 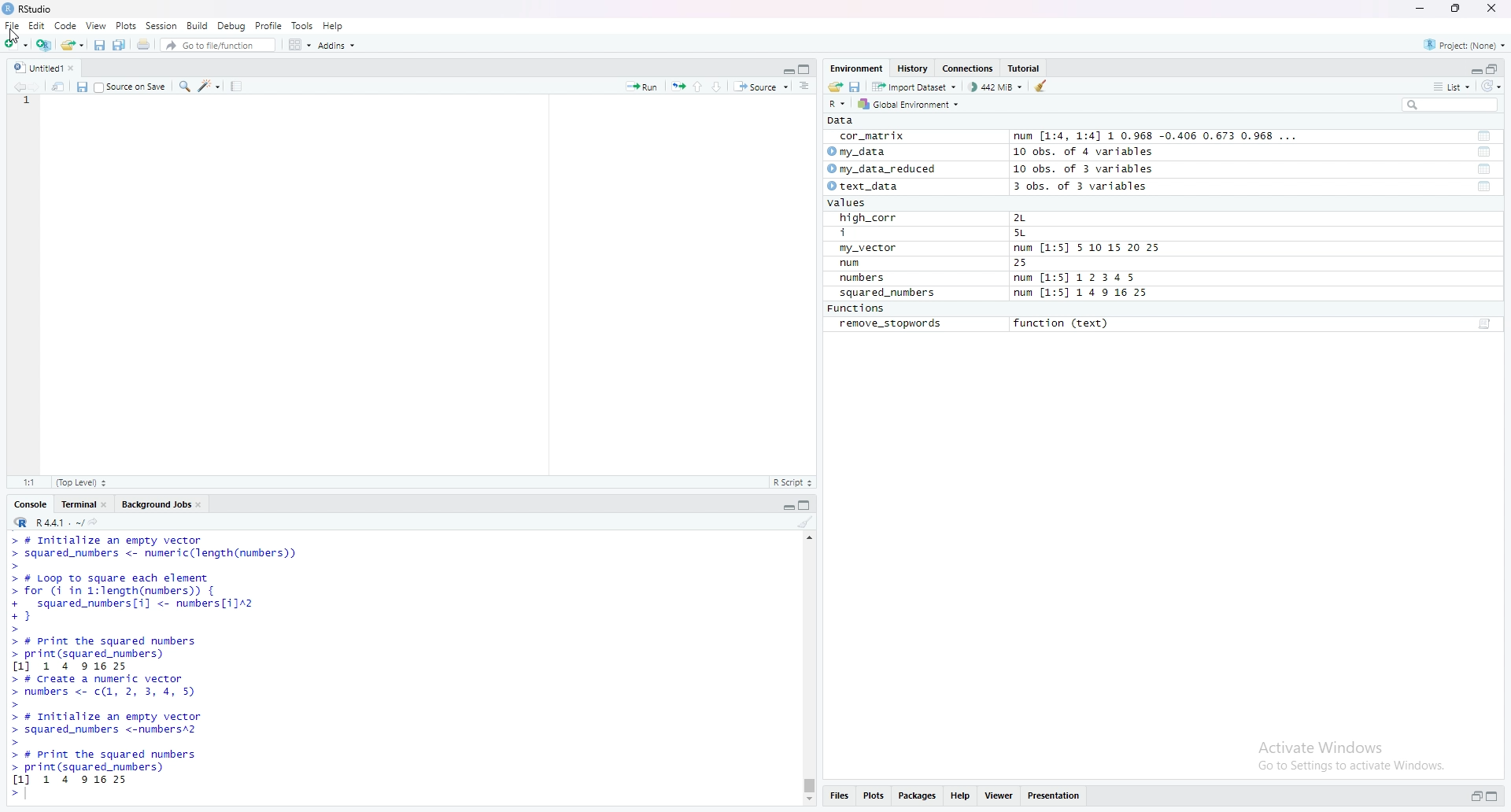 What do you see at coordinates (98, 522) in the screenshot?
I see `view the current working` at bounding box center [98, 522].